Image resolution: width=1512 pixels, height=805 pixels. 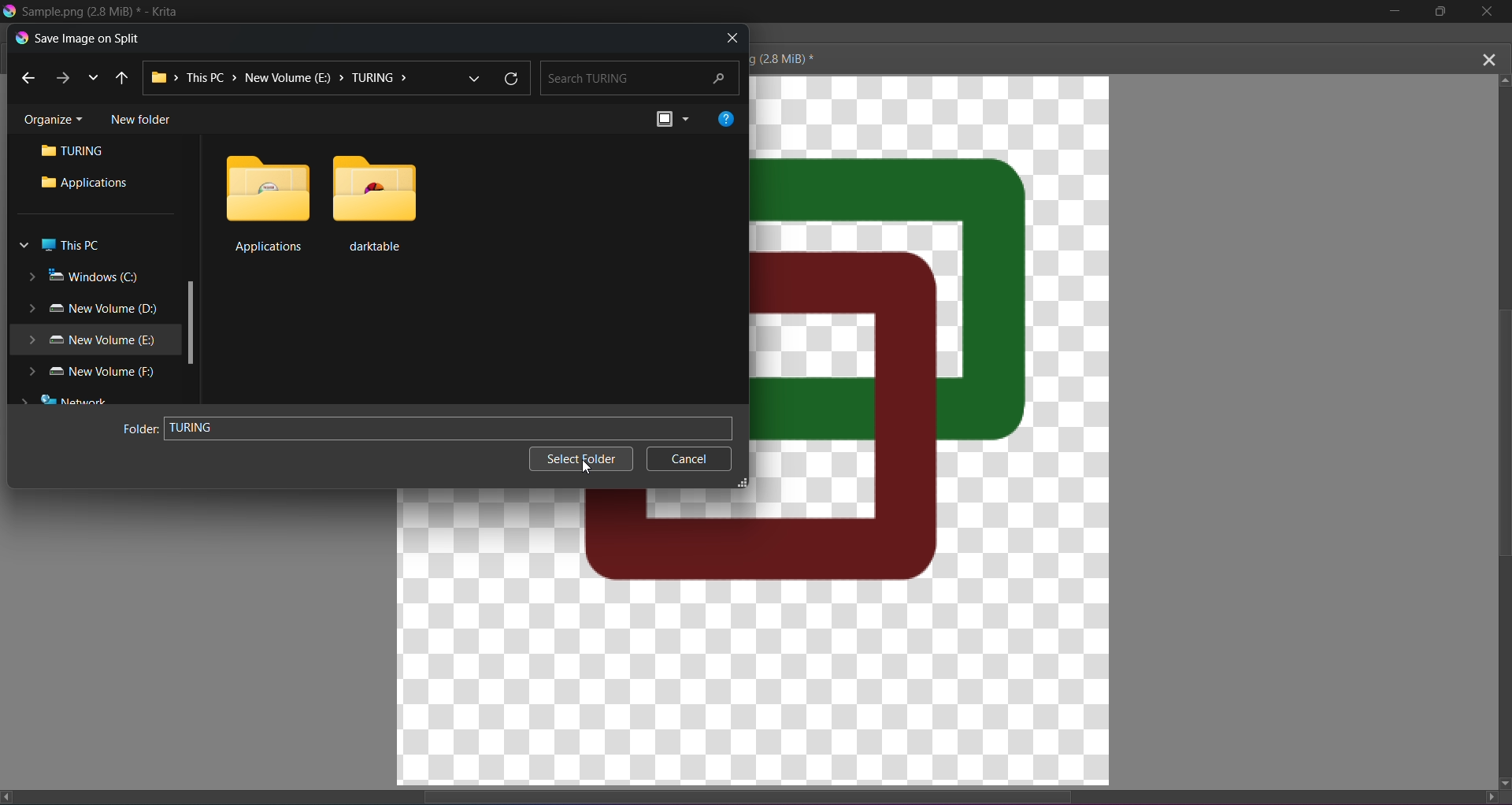 I want to click on New Volume (D), so click(x=92, y=310).